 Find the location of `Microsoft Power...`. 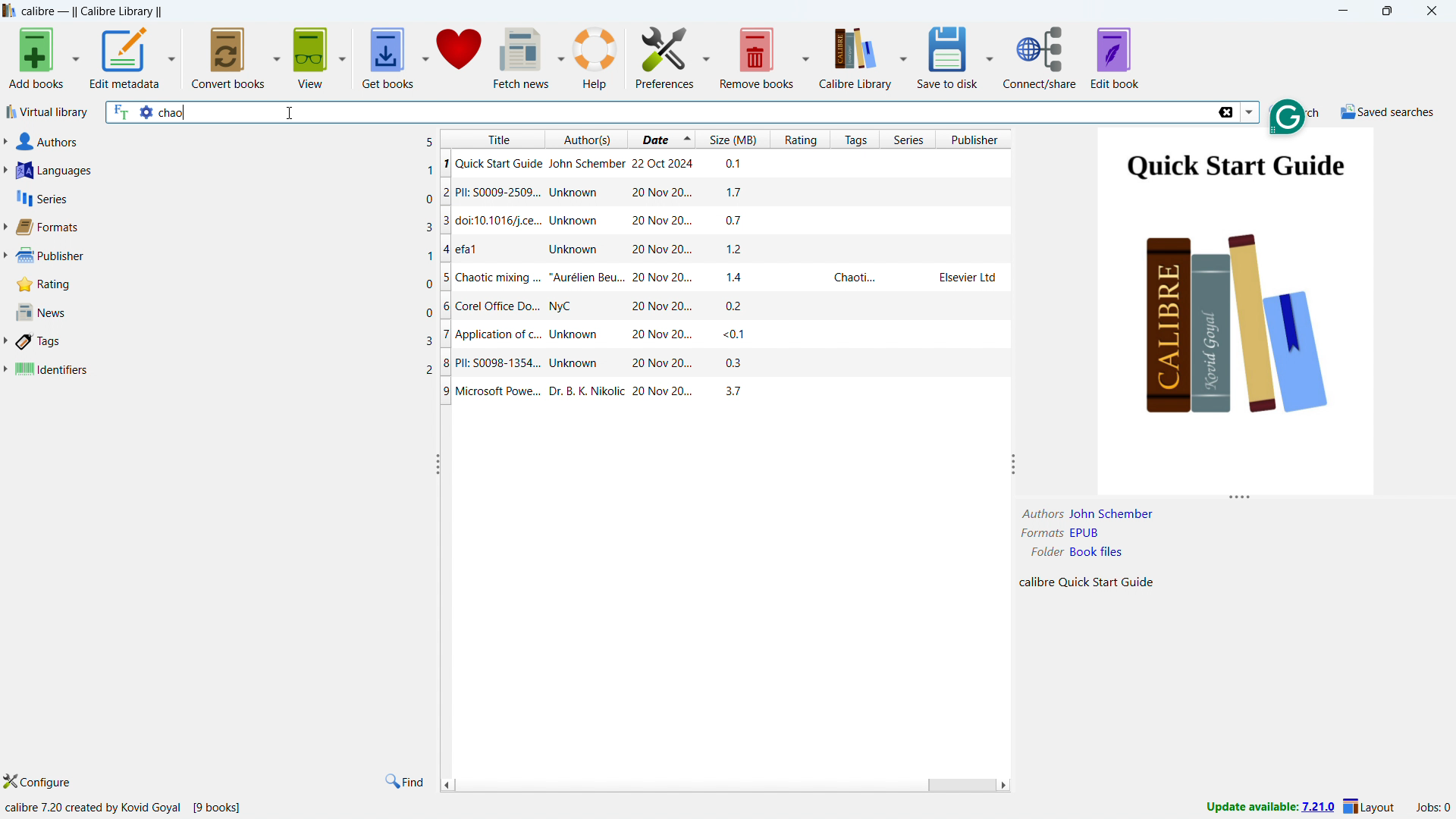

Microsoft Power... is located at coordinates (718, 396).